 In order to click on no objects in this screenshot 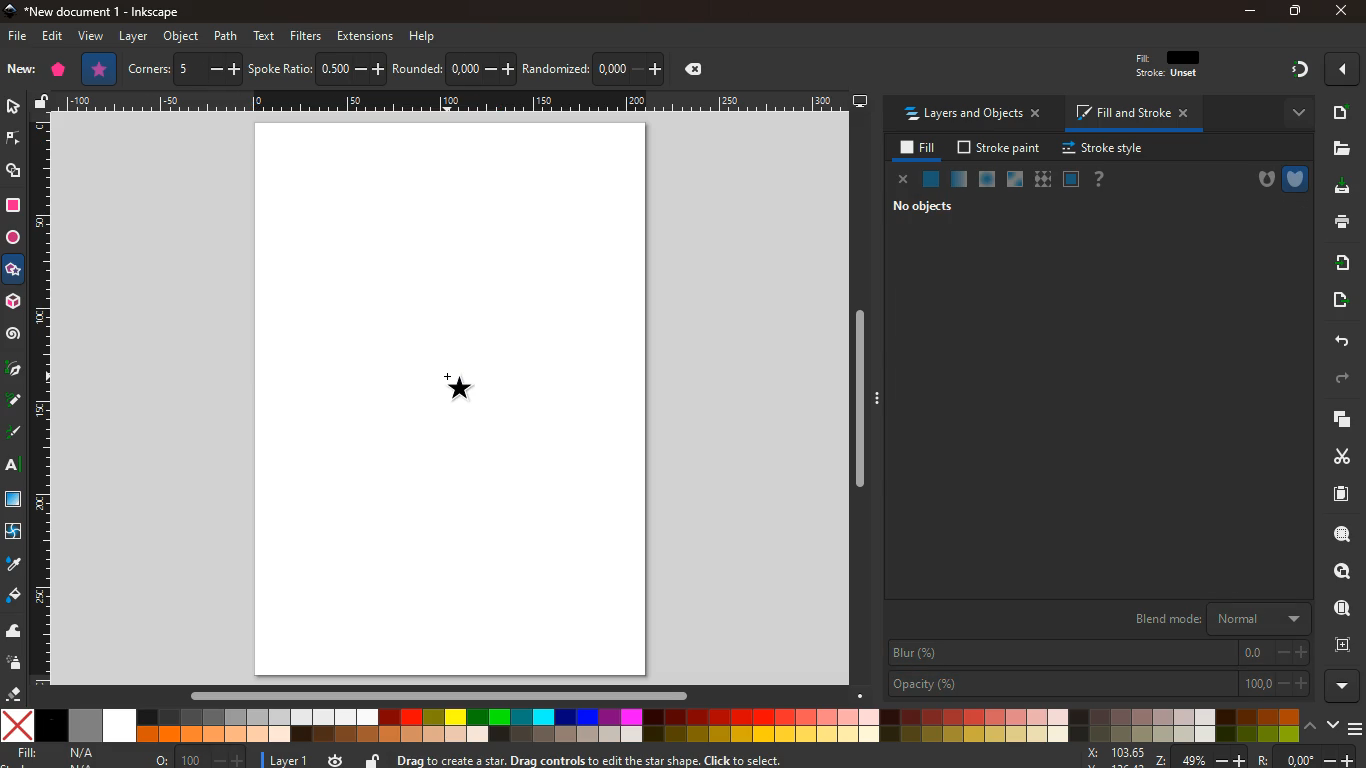, I will do `click(925, 206)`.